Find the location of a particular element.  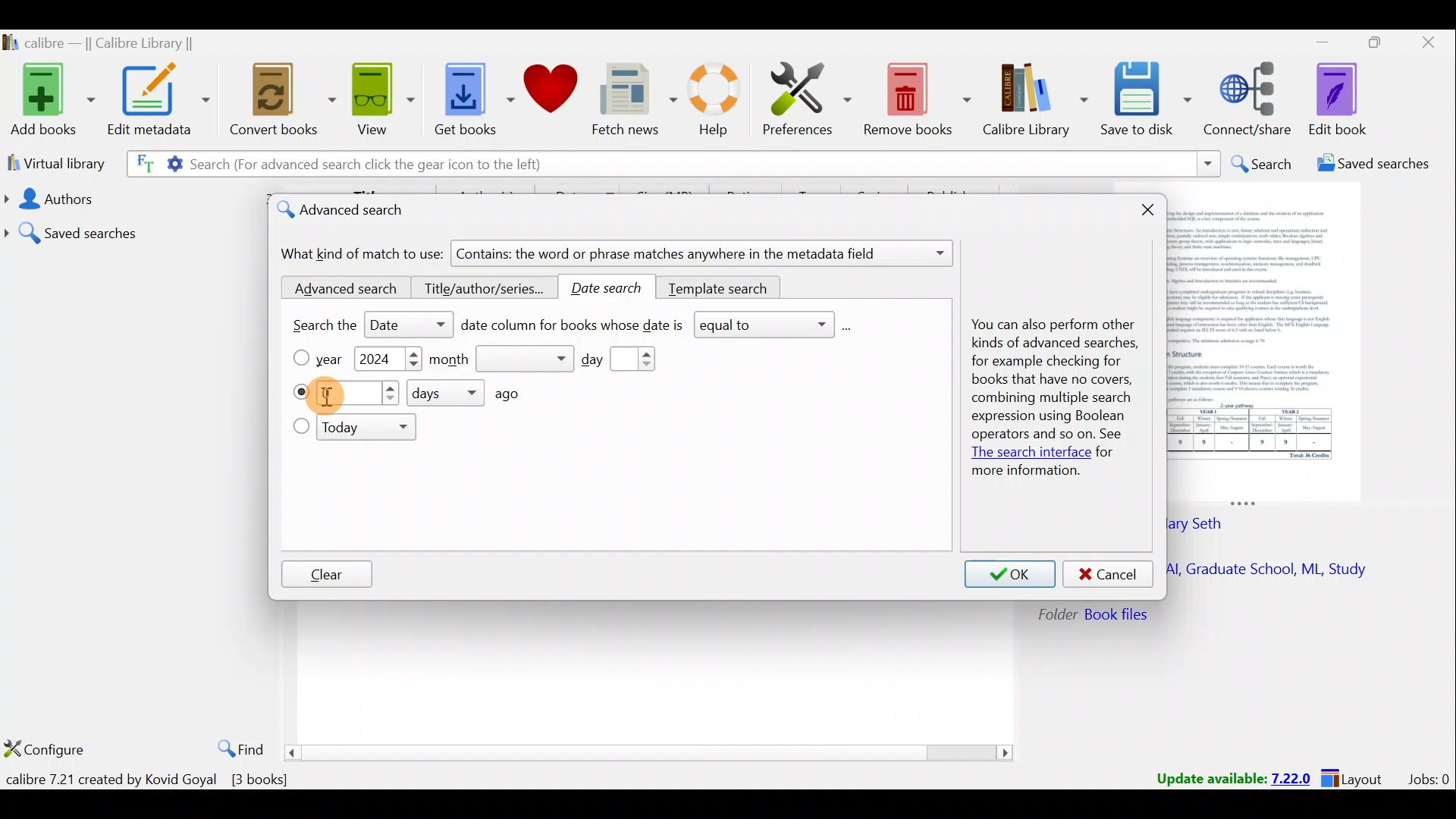

Remove books is located at coordinates (916, 96).